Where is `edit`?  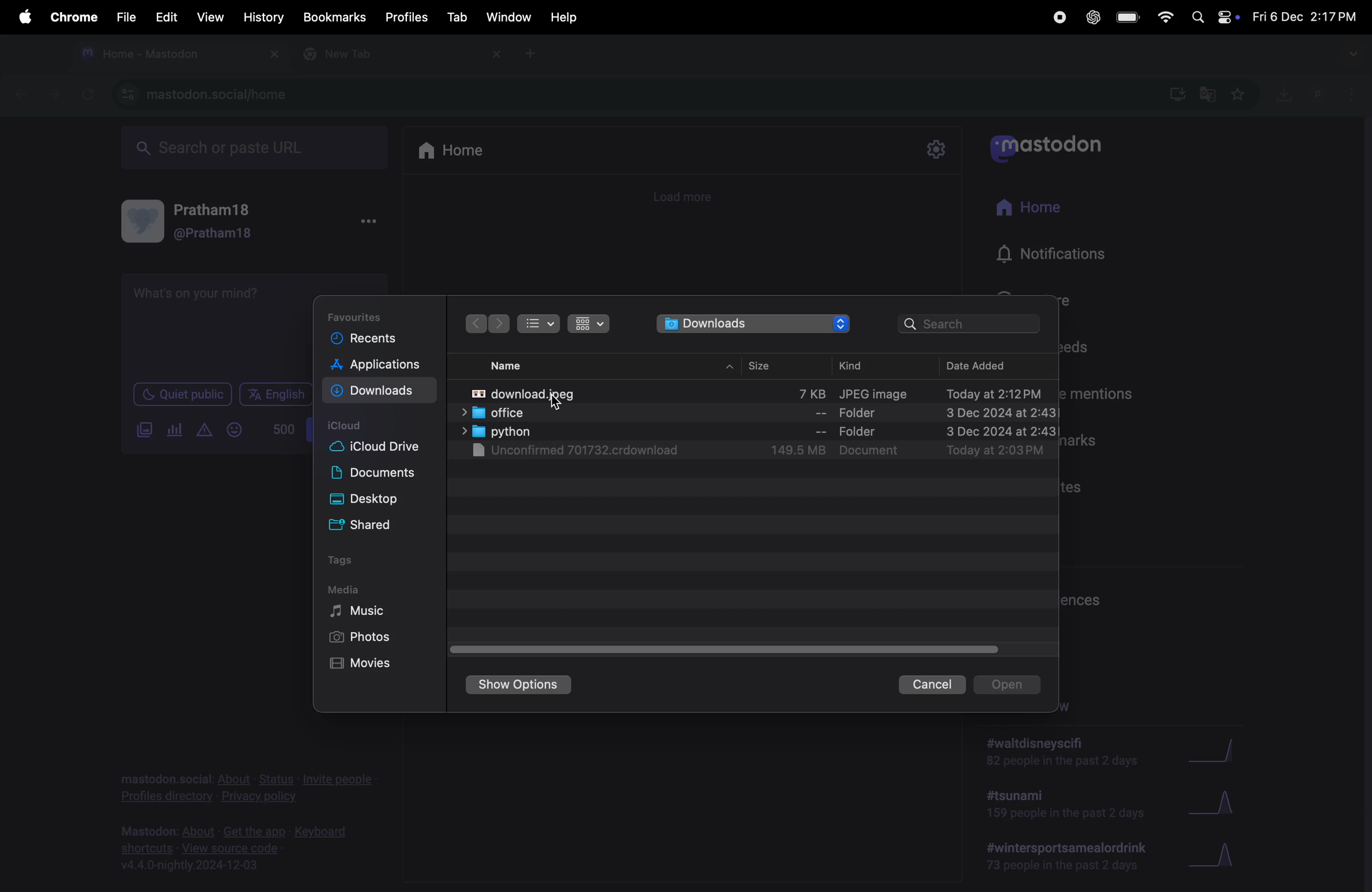
edit is located at coordinates (166, 17).